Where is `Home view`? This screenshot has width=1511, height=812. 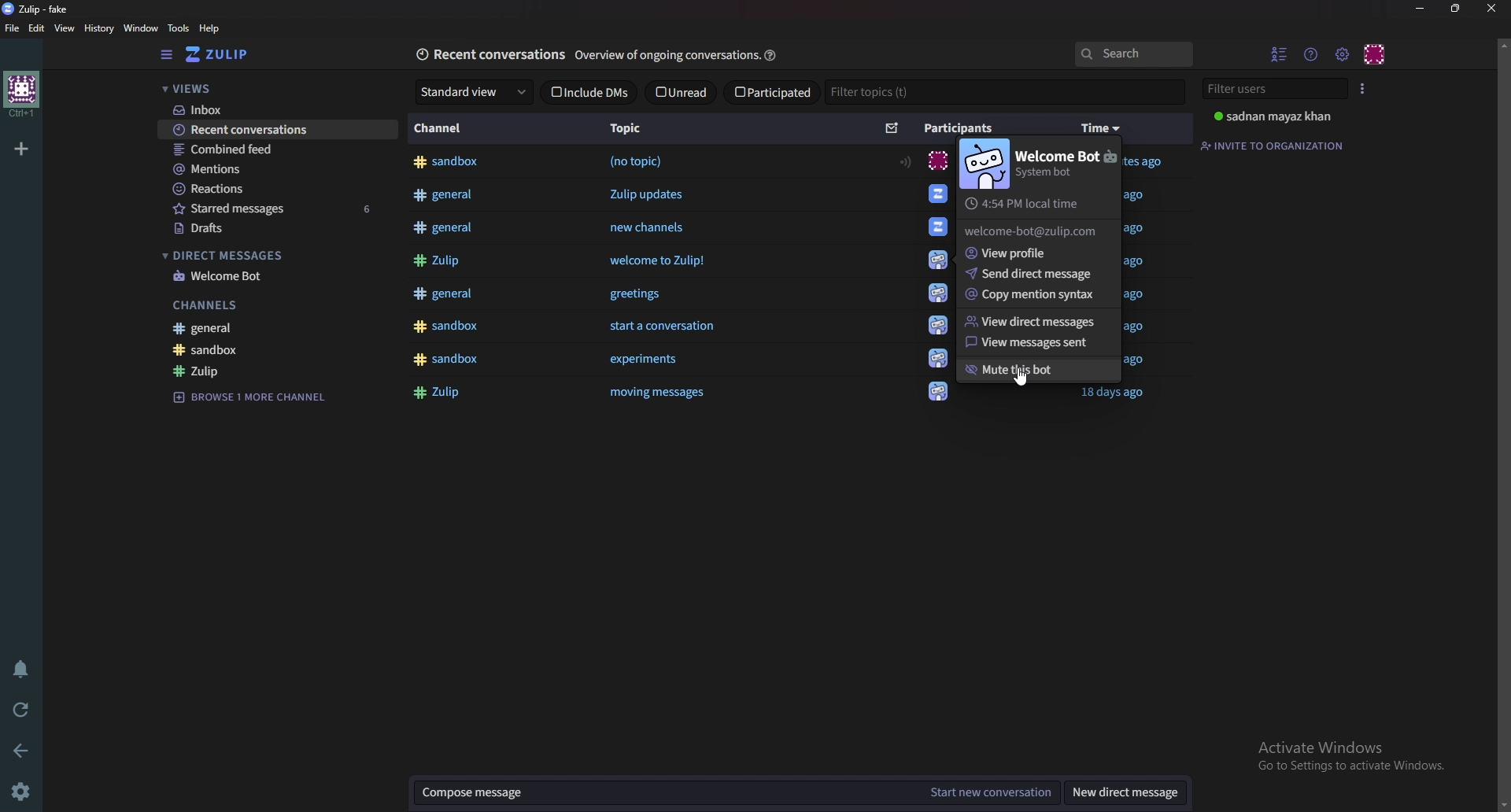 Home view is located at coordinates (227, 55).